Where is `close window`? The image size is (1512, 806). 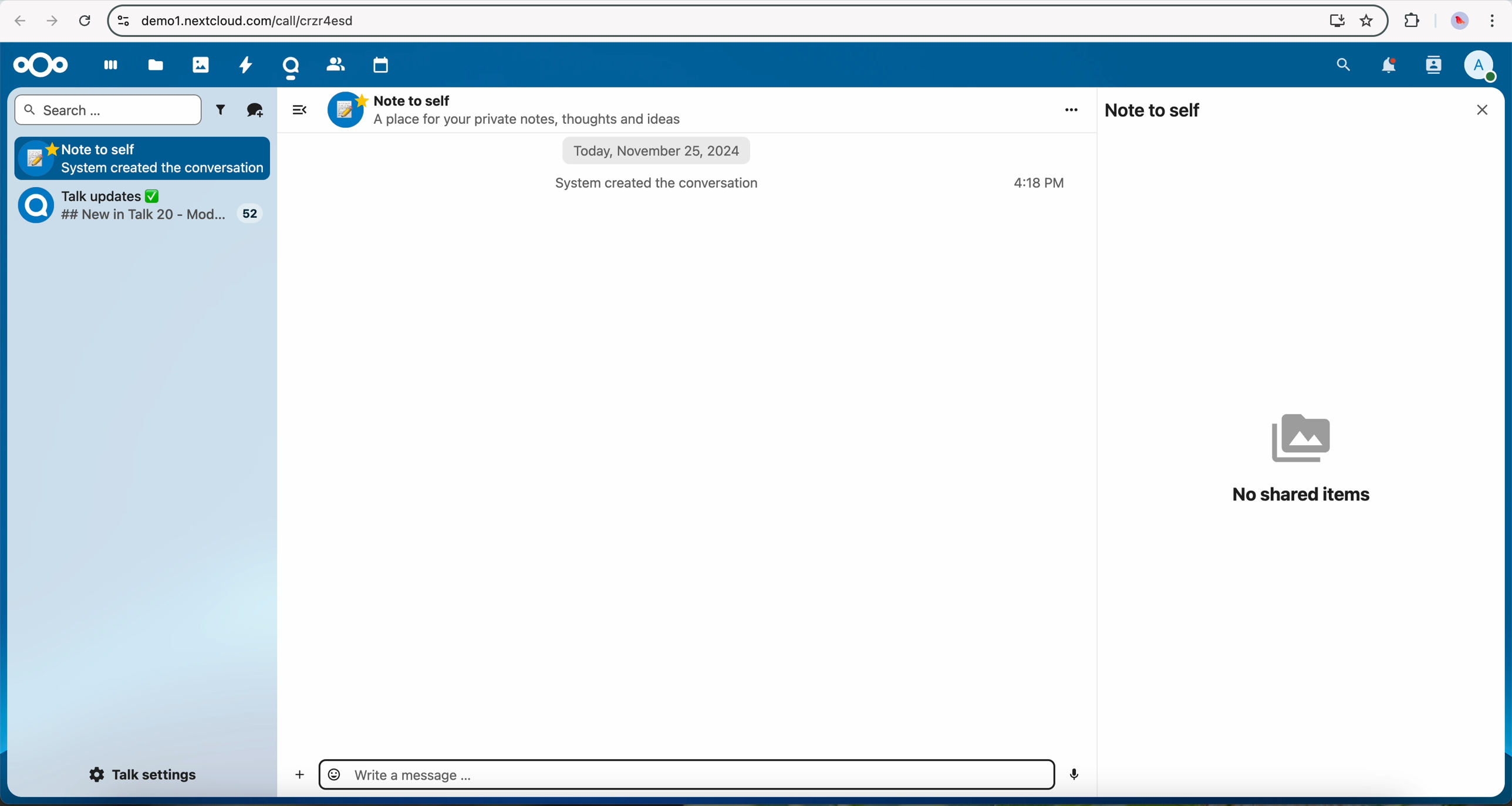
close window is located at coordinates (1486, 110).